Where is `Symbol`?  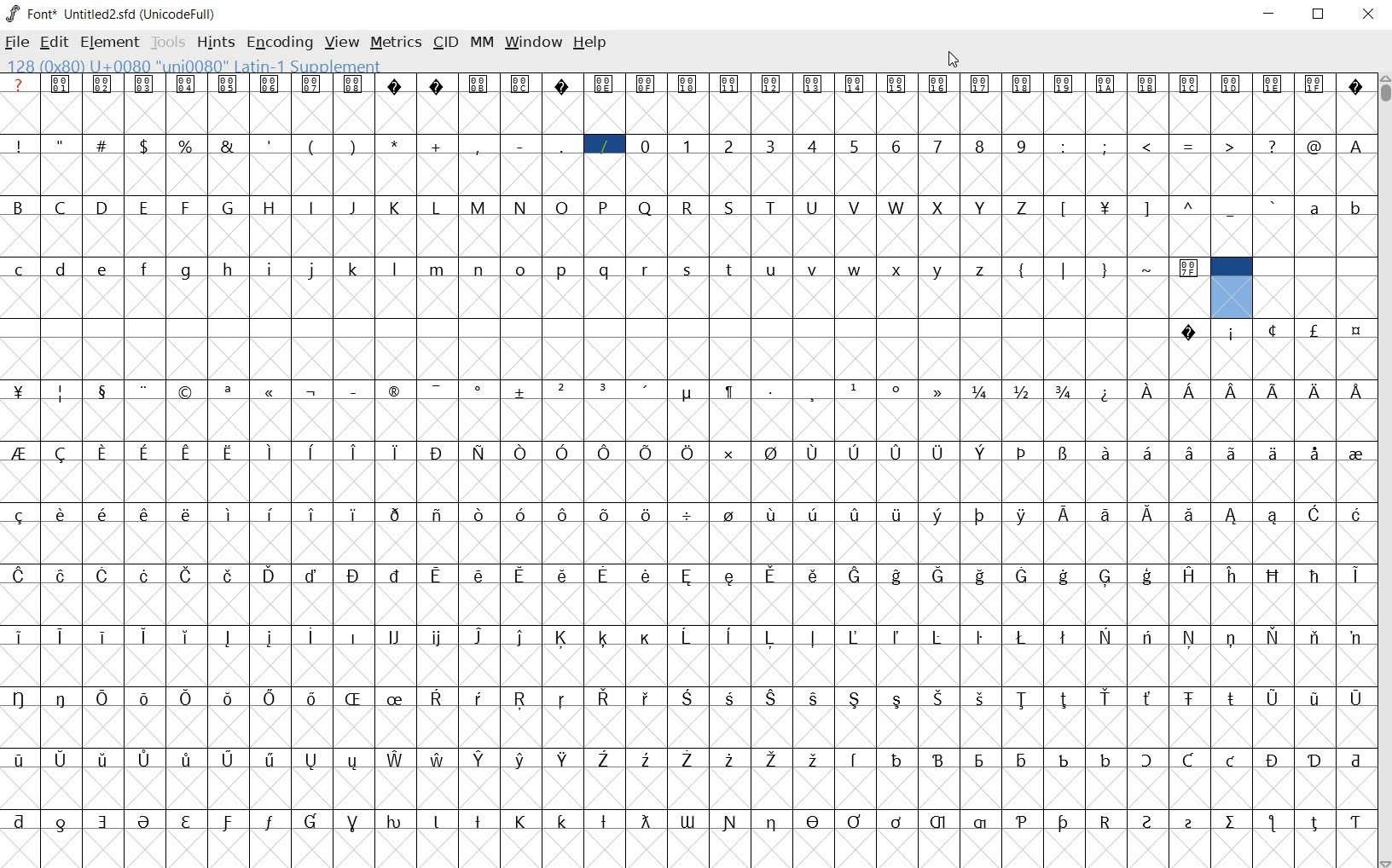
Symbol is located at coordinates (148, 575).